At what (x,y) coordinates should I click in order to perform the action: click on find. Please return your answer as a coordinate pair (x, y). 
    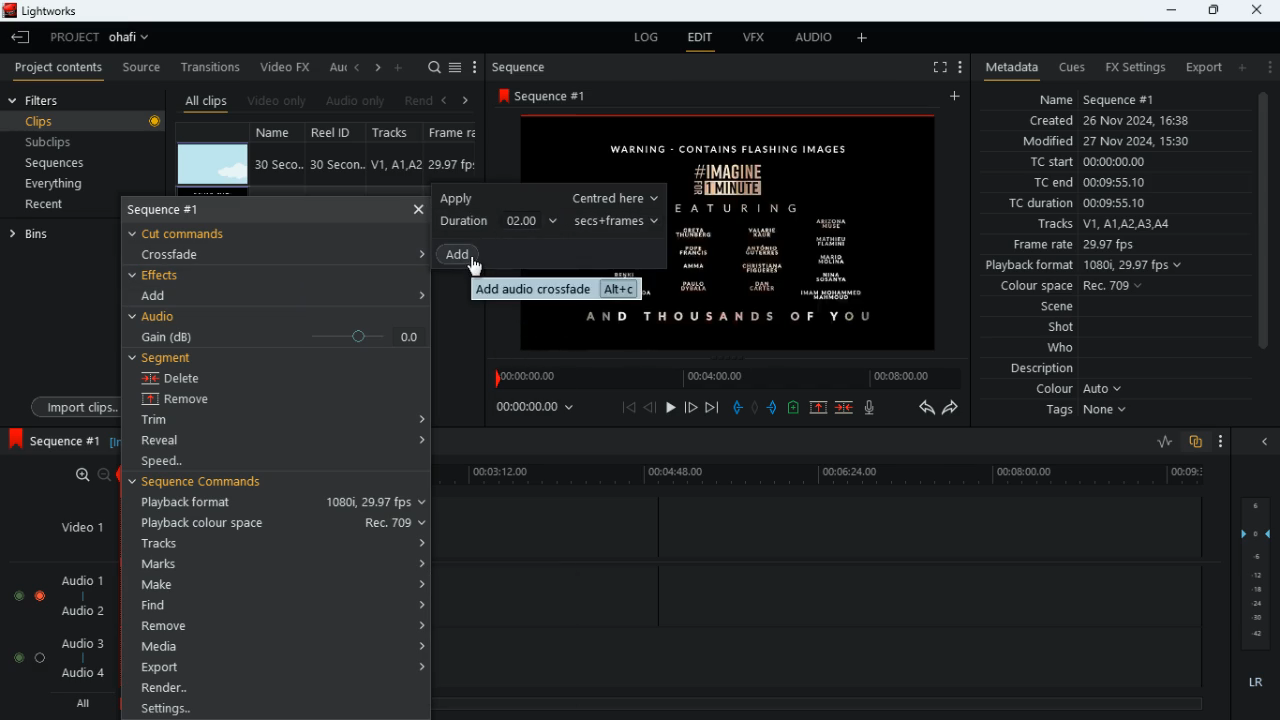
    Looking at the image, I should click on (278, 605).